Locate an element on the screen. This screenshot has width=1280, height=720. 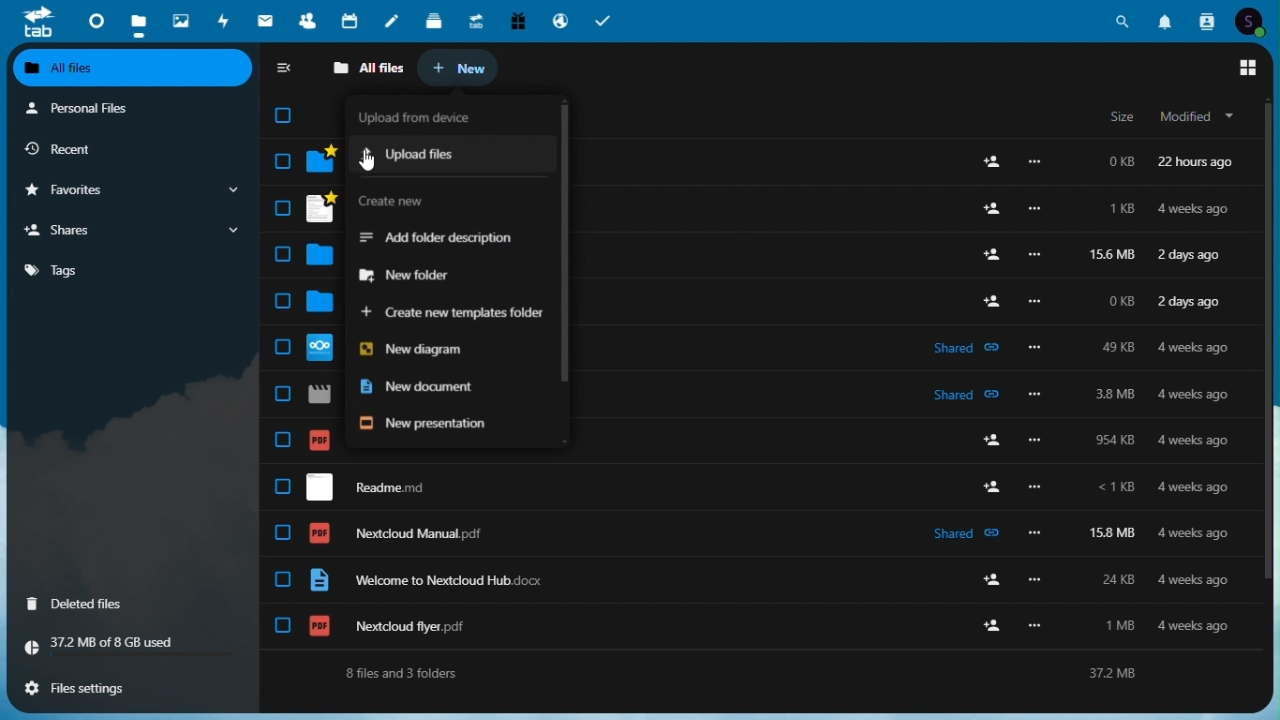
folder is located at coordinates (321, 255).